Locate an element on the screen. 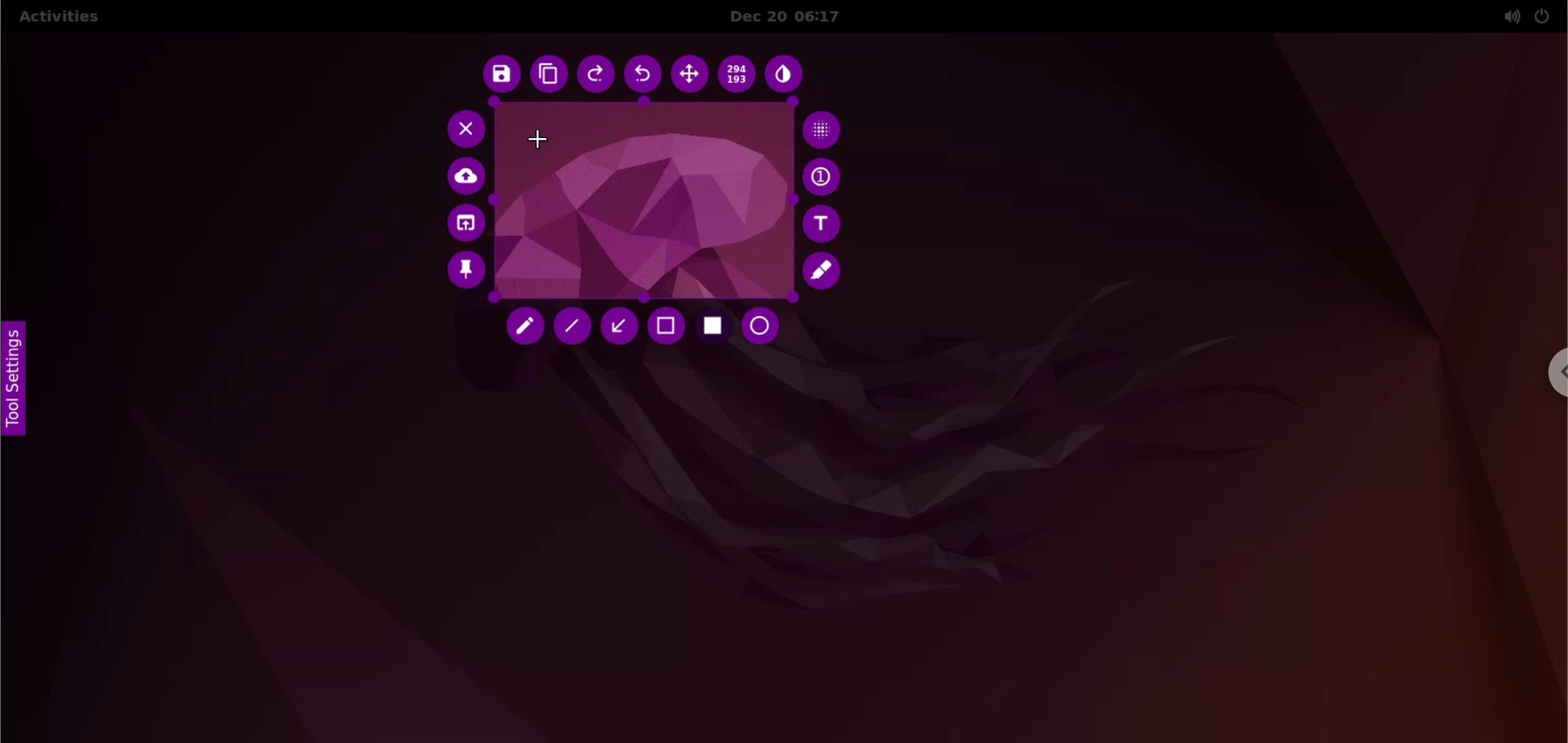 This screenshot has width=1568, height=743. pixellete is located at coordinates (822, 128).